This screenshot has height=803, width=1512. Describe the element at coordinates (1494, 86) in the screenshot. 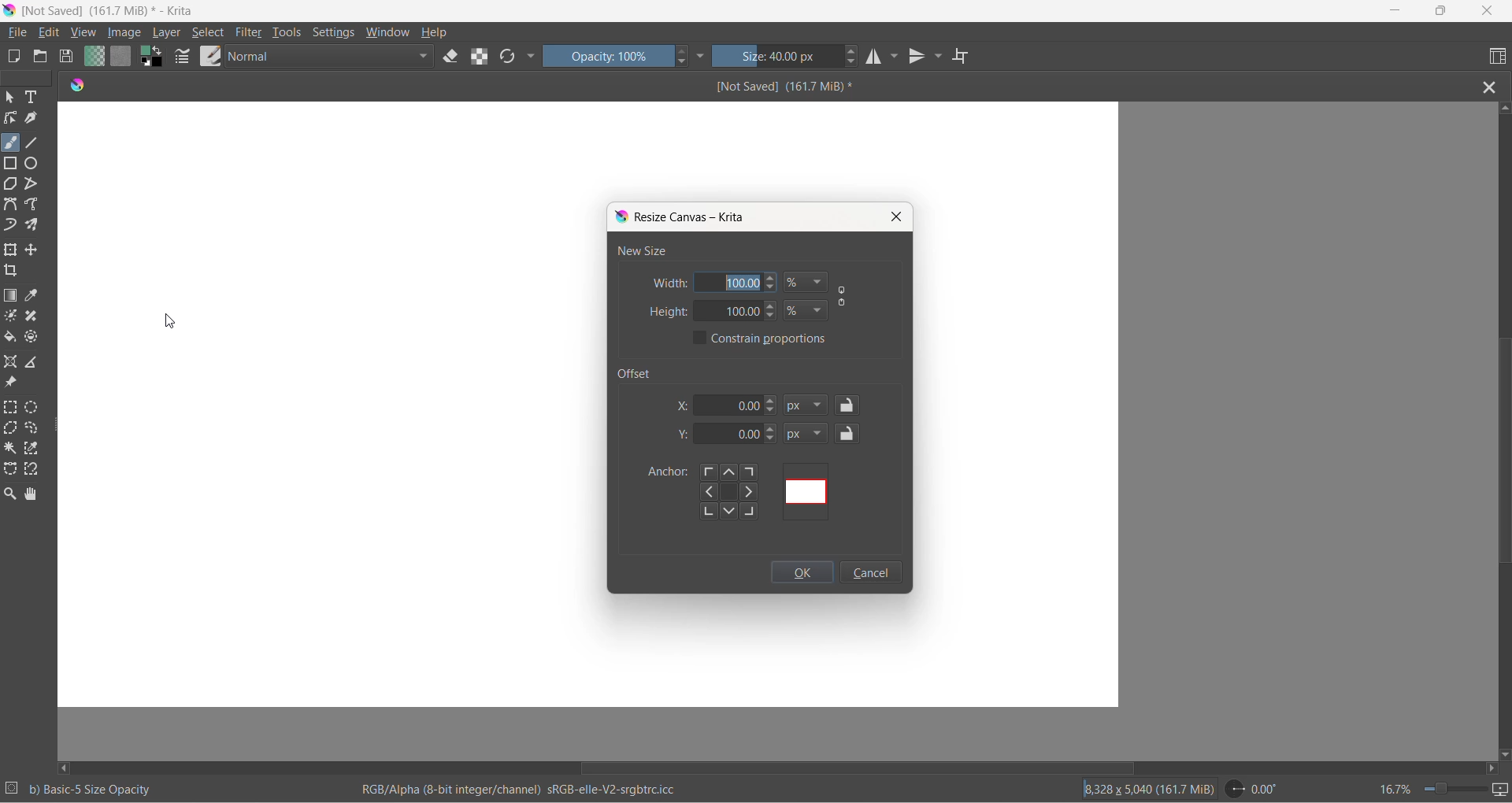

I see `close file` at that location.